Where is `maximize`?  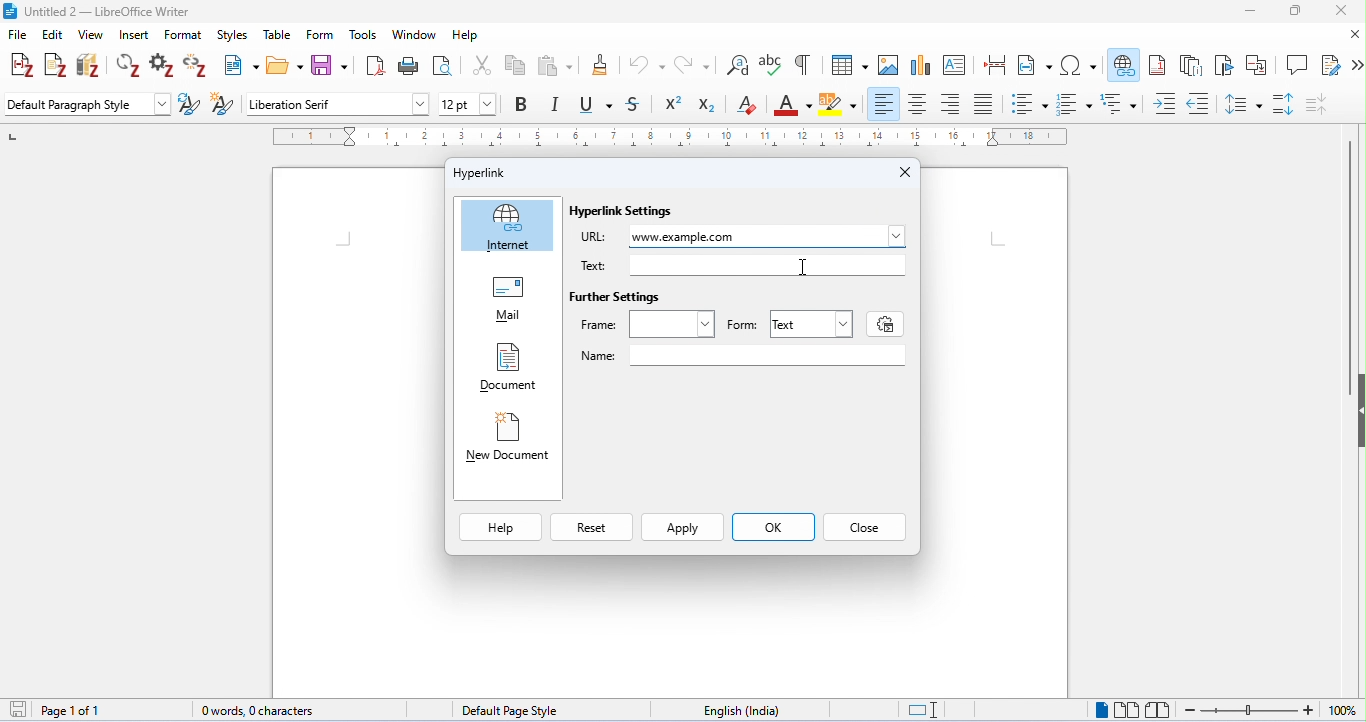
maximize is located at coordinates (1296, 11).